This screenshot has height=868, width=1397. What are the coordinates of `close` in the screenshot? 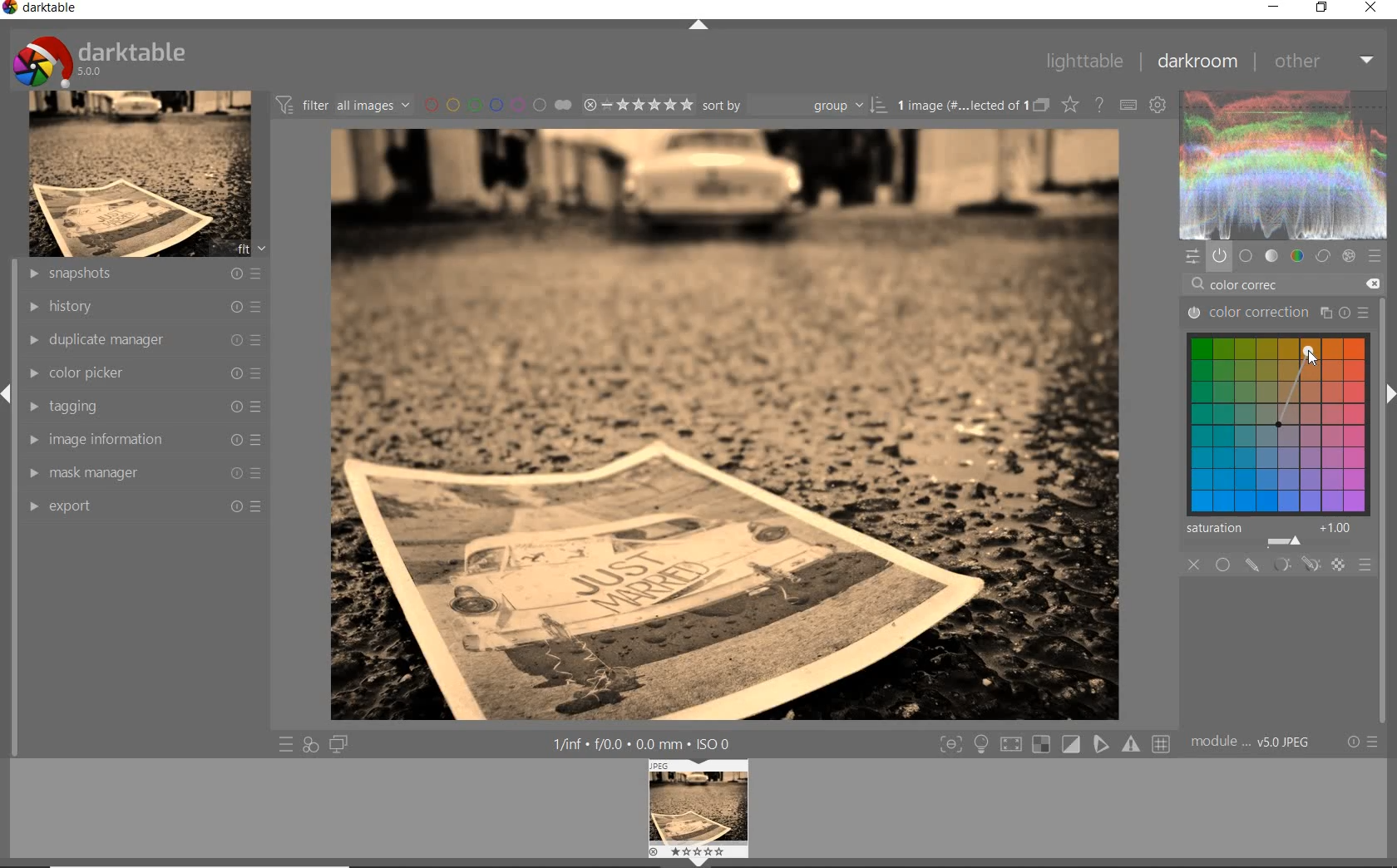 It's located at (1194, 565).